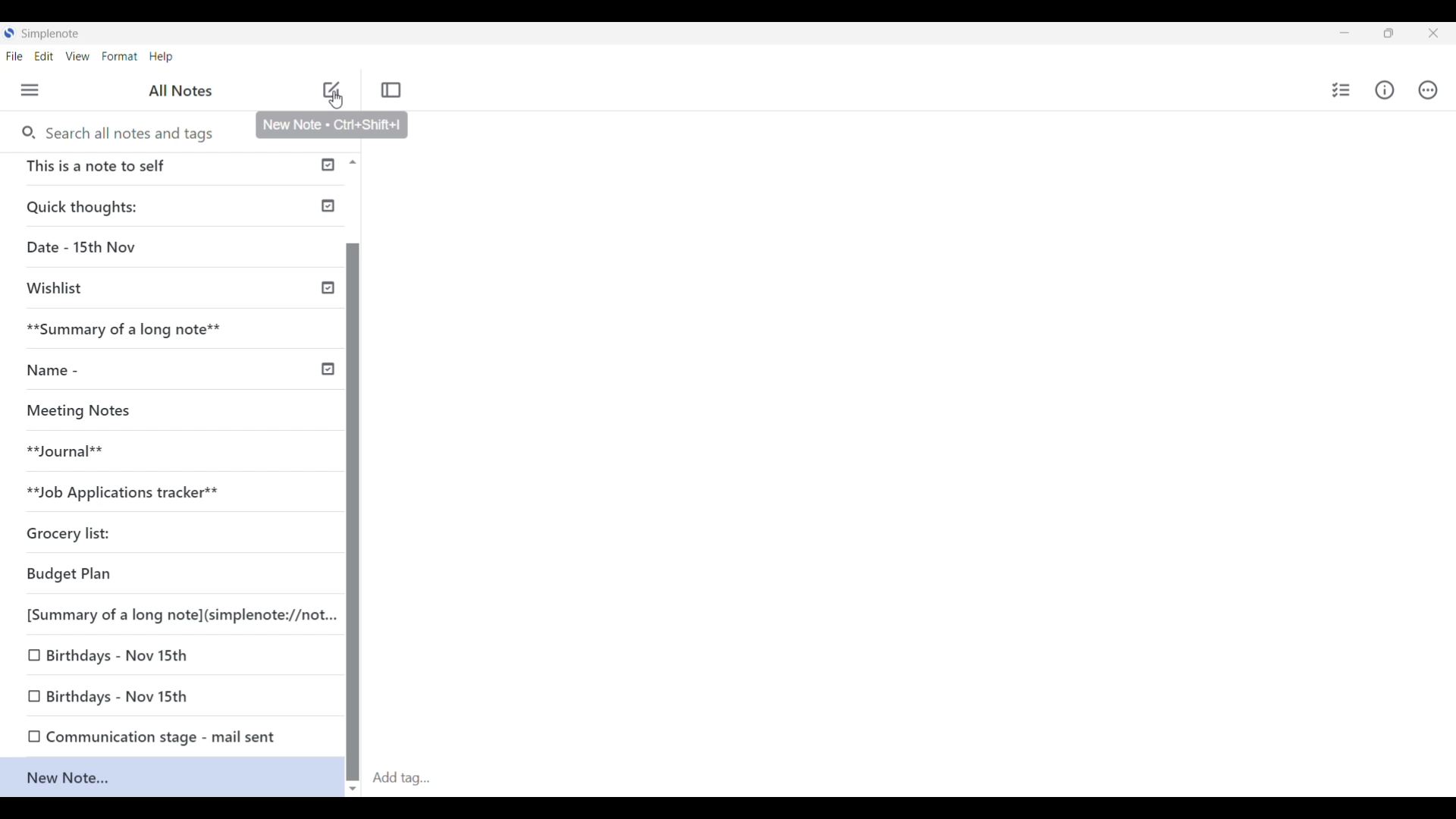 The width and height of the screenshot is (1456, 819). Describe the element at coordinates (129, 249) in the screenshot. I see `Date - 15th Nov` at that location.